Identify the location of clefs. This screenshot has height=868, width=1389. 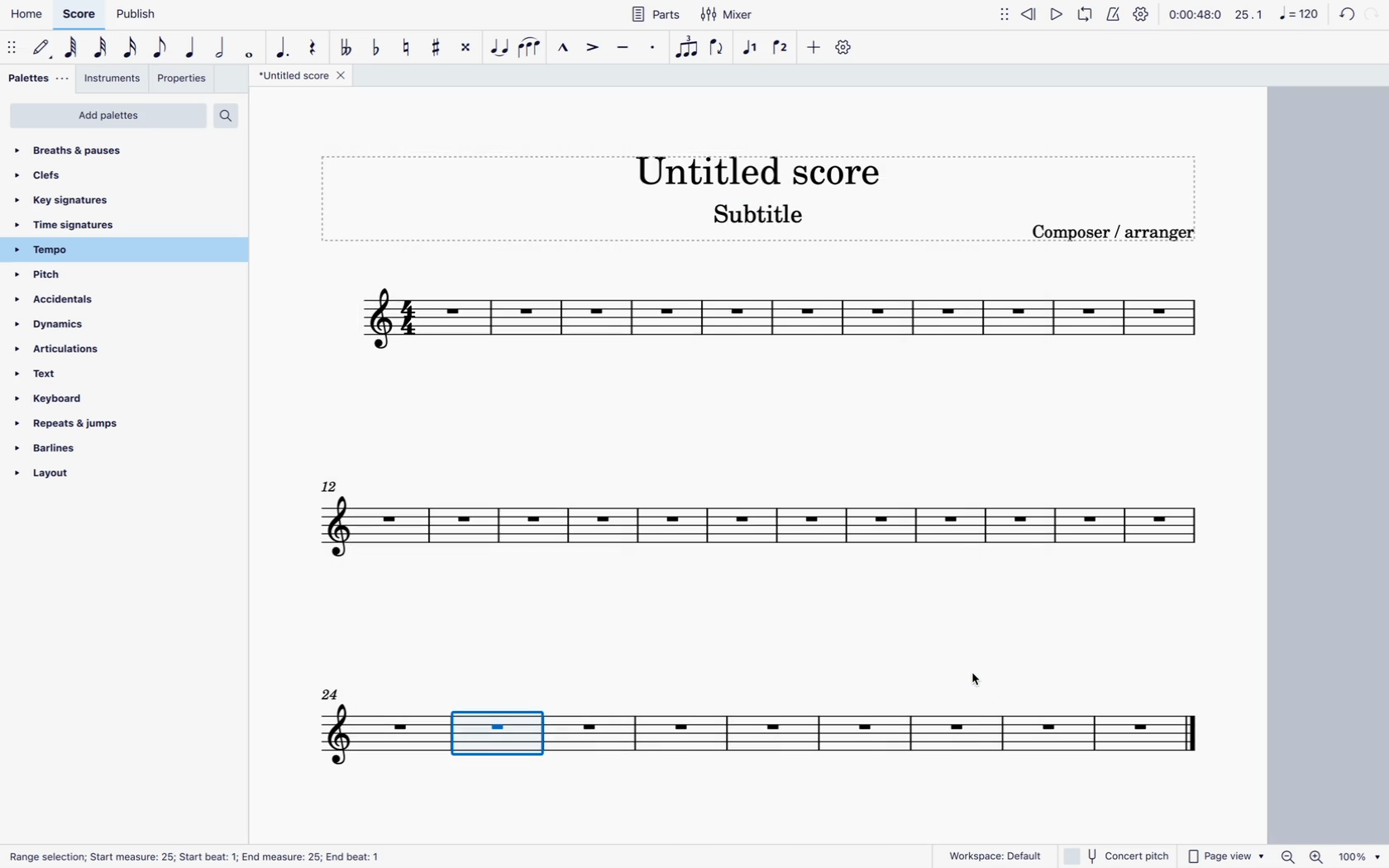
(55, 179).